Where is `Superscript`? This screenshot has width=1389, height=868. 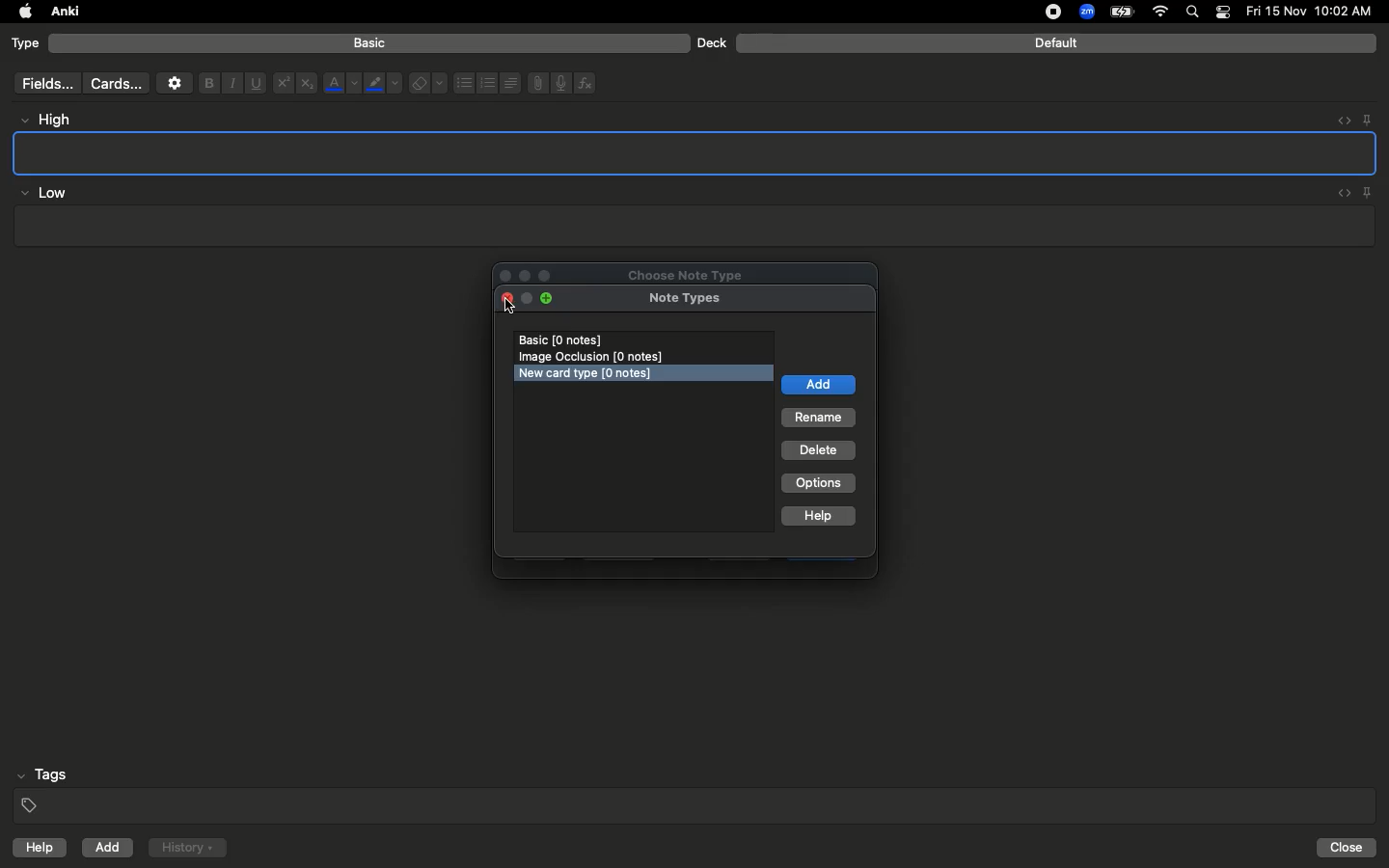
Superscript is located at coordinates (282, 84).